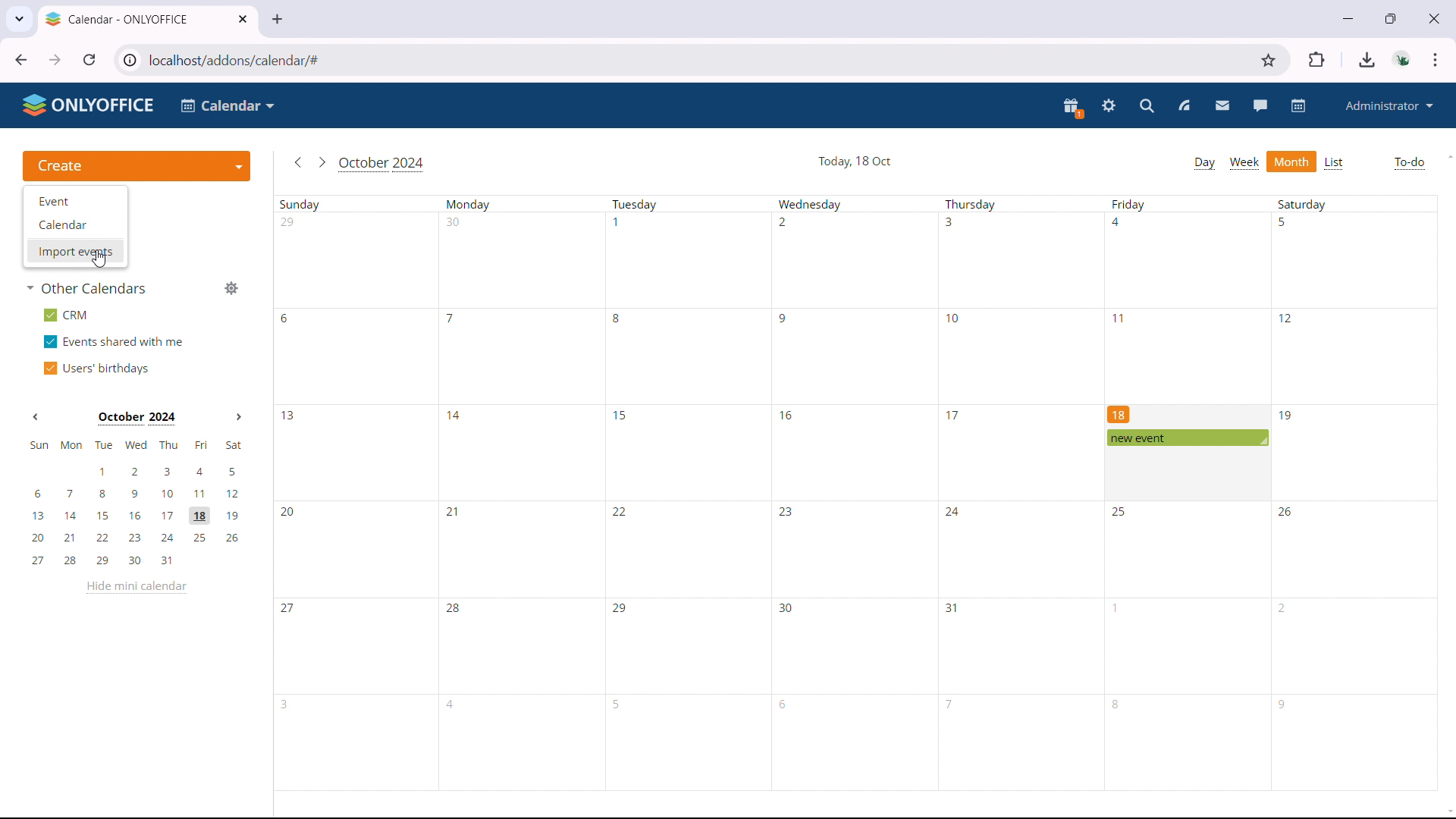  Describe the element at coordinates (1436, 60) in the screenshot. I see `customize & control` at that location.